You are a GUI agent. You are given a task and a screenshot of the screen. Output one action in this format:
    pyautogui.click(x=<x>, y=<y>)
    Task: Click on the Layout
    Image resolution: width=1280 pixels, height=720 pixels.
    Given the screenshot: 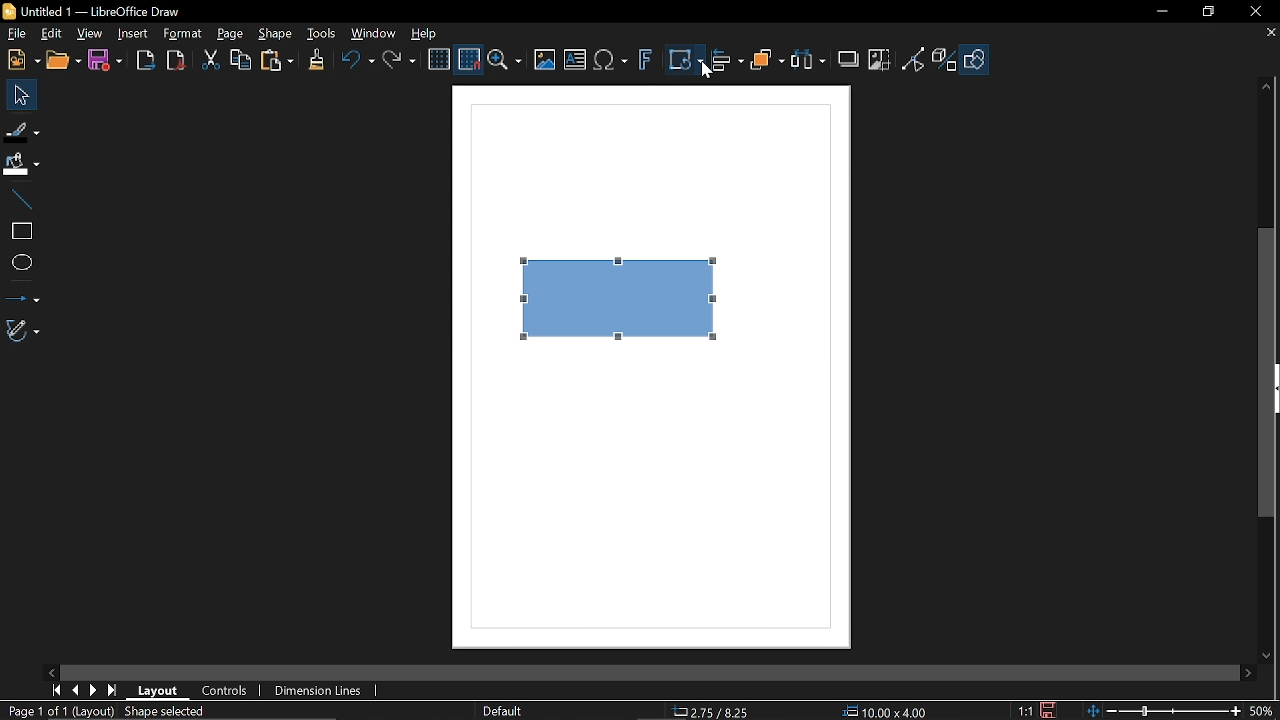 What is the action you would take?
    pyautogui.click(x=158, y=689)
    